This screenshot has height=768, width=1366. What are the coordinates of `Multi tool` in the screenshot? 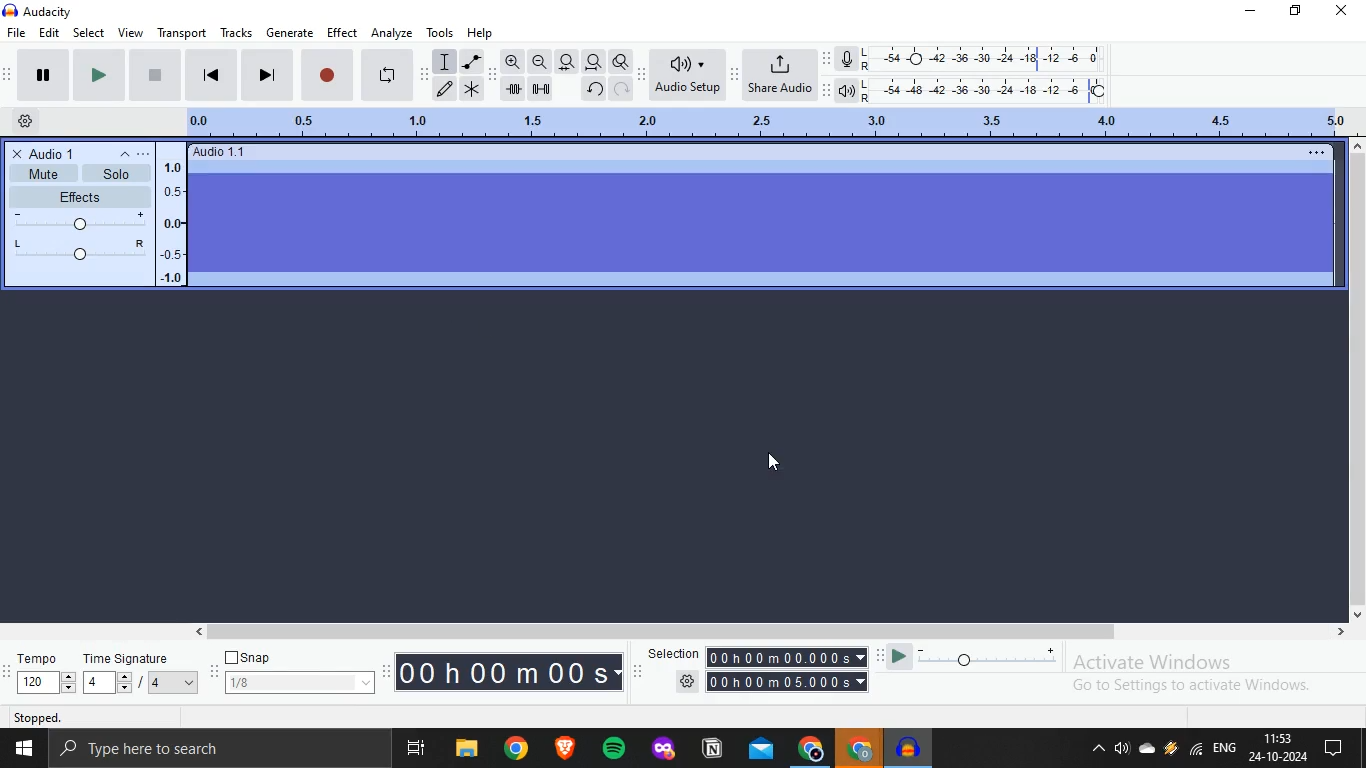 It's located at (473, 89).